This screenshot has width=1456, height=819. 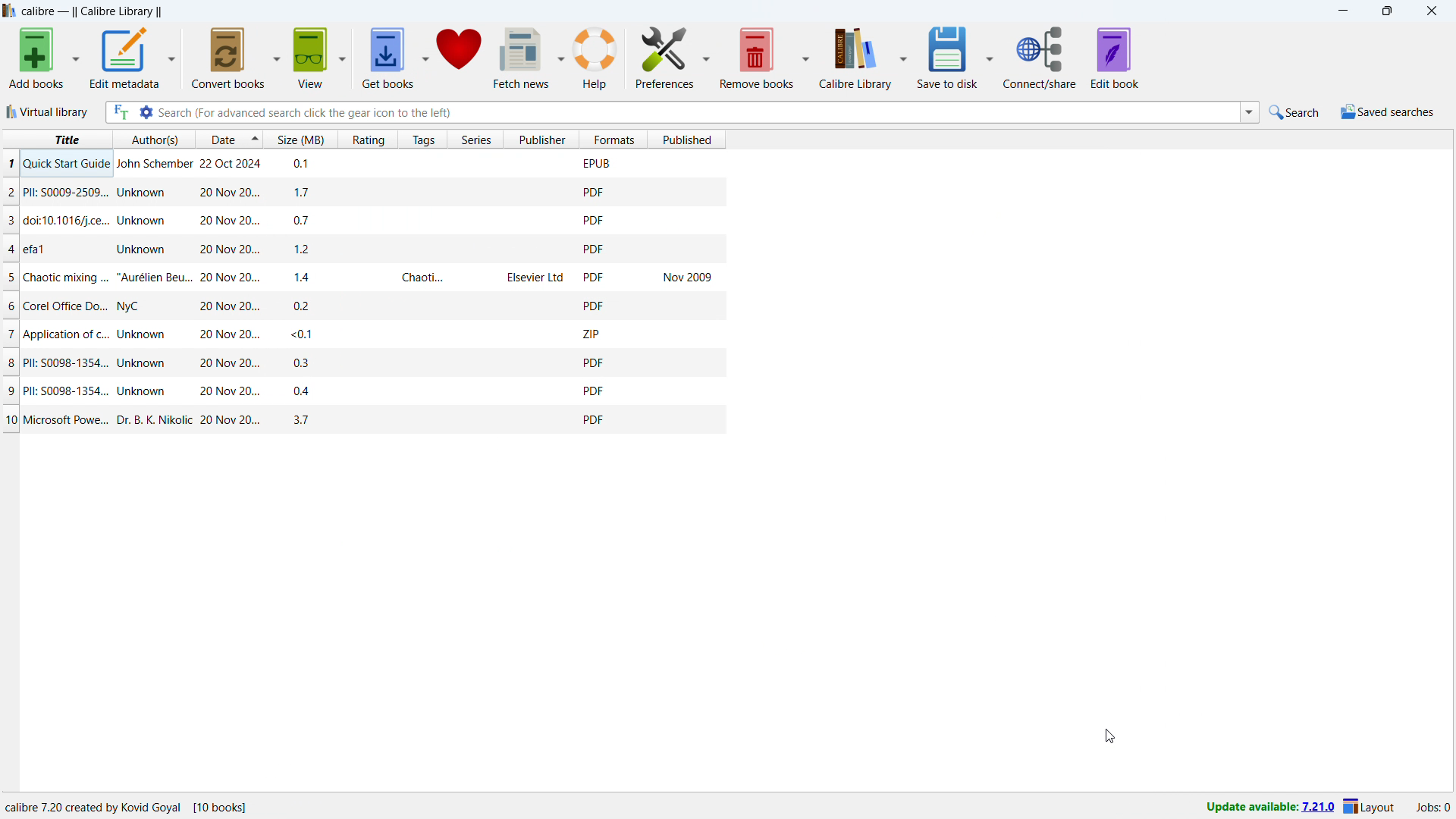 What do you see at coordinates (1250, 111) in the screenshot?
I see `search history` at bounding box center [1250, 111].